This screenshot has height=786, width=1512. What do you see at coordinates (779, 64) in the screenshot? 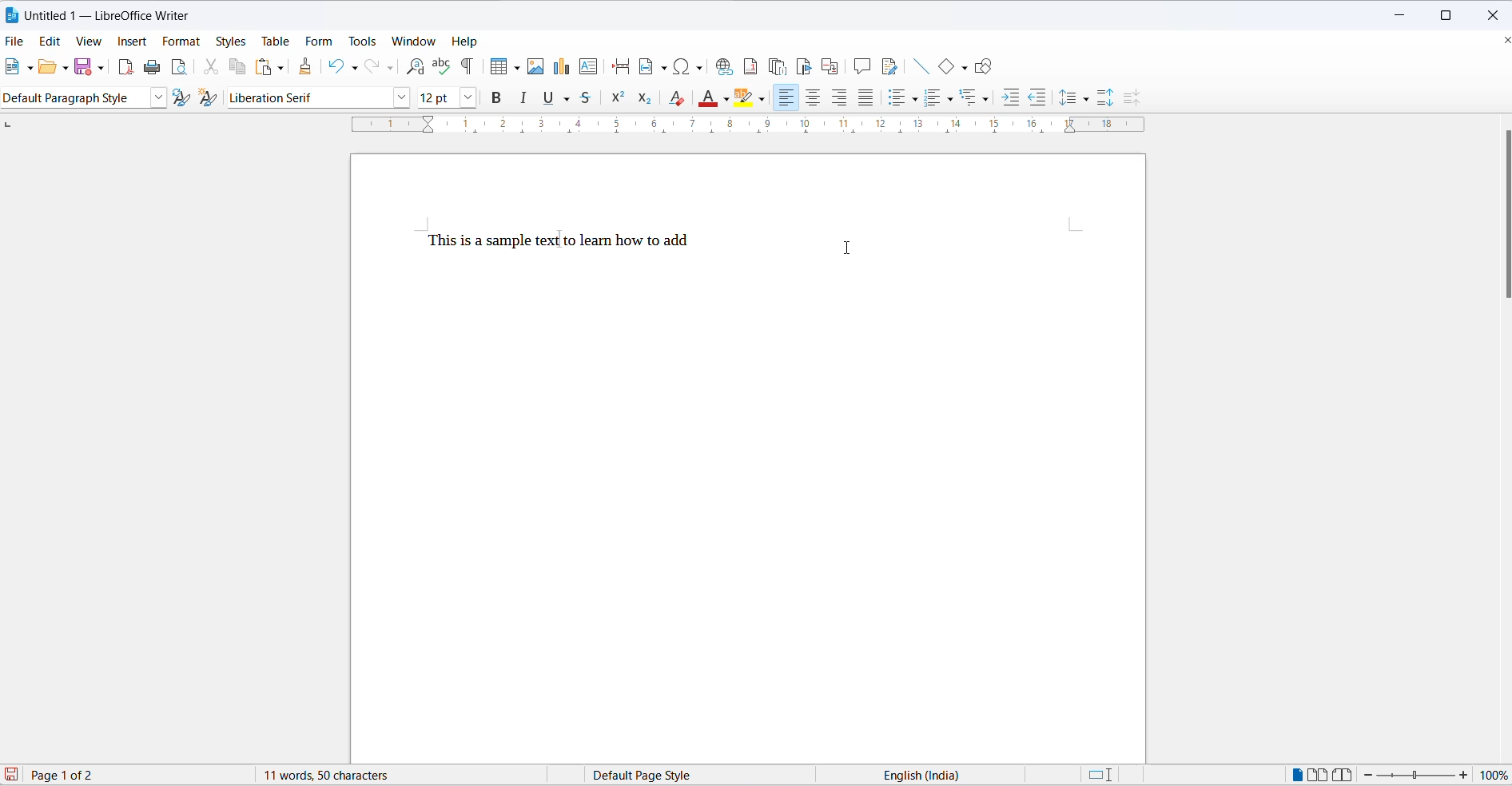
I see `insert endnote` at bounding box center [779, 64].